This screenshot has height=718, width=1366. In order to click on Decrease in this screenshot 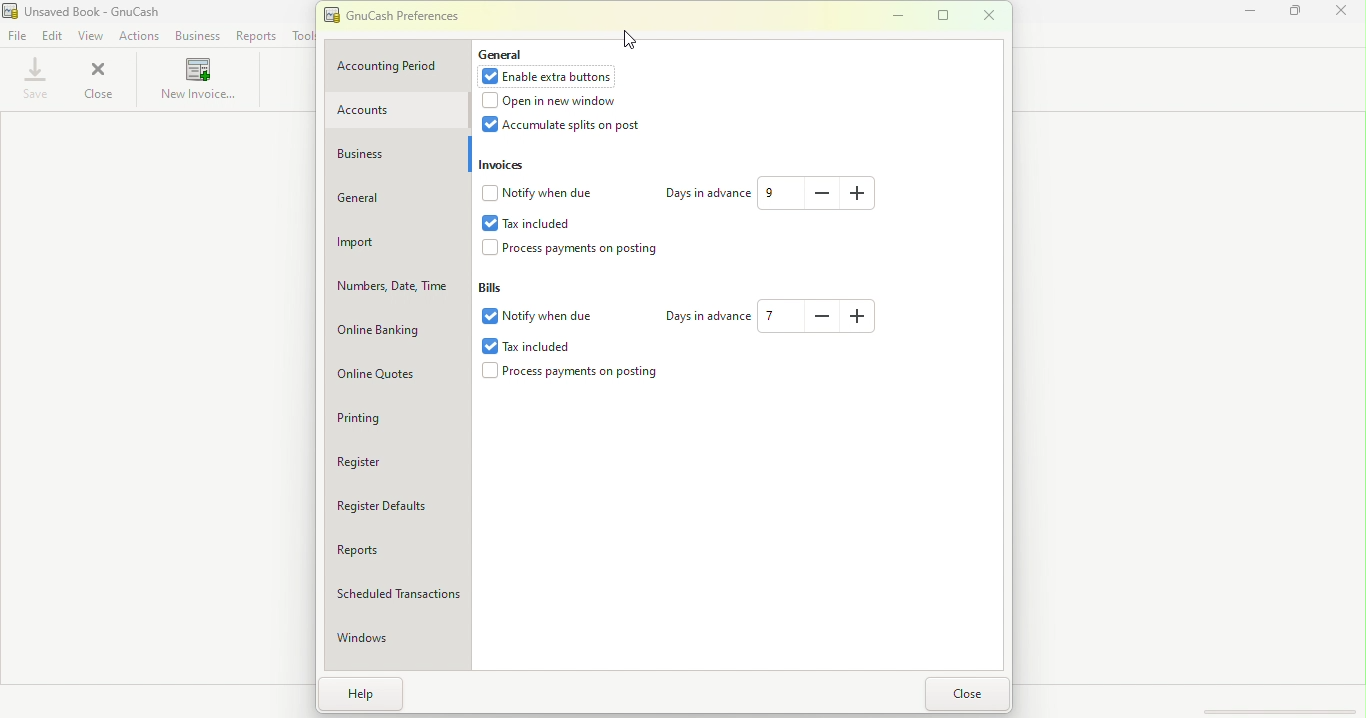, I will do `click(823, 316)`.